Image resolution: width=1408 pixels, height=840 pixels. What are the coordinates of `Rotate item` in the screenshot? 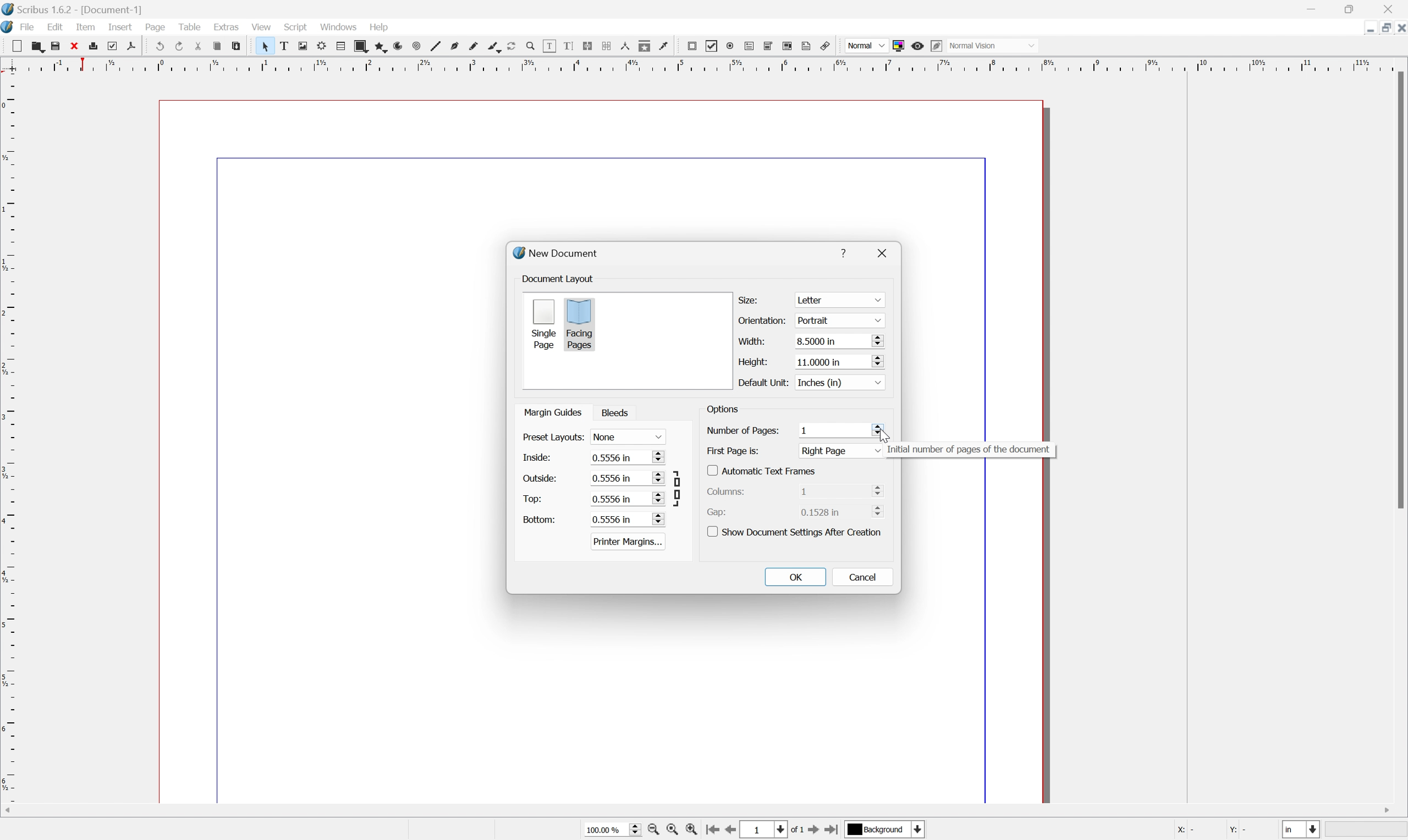 It's located at (511, 46).